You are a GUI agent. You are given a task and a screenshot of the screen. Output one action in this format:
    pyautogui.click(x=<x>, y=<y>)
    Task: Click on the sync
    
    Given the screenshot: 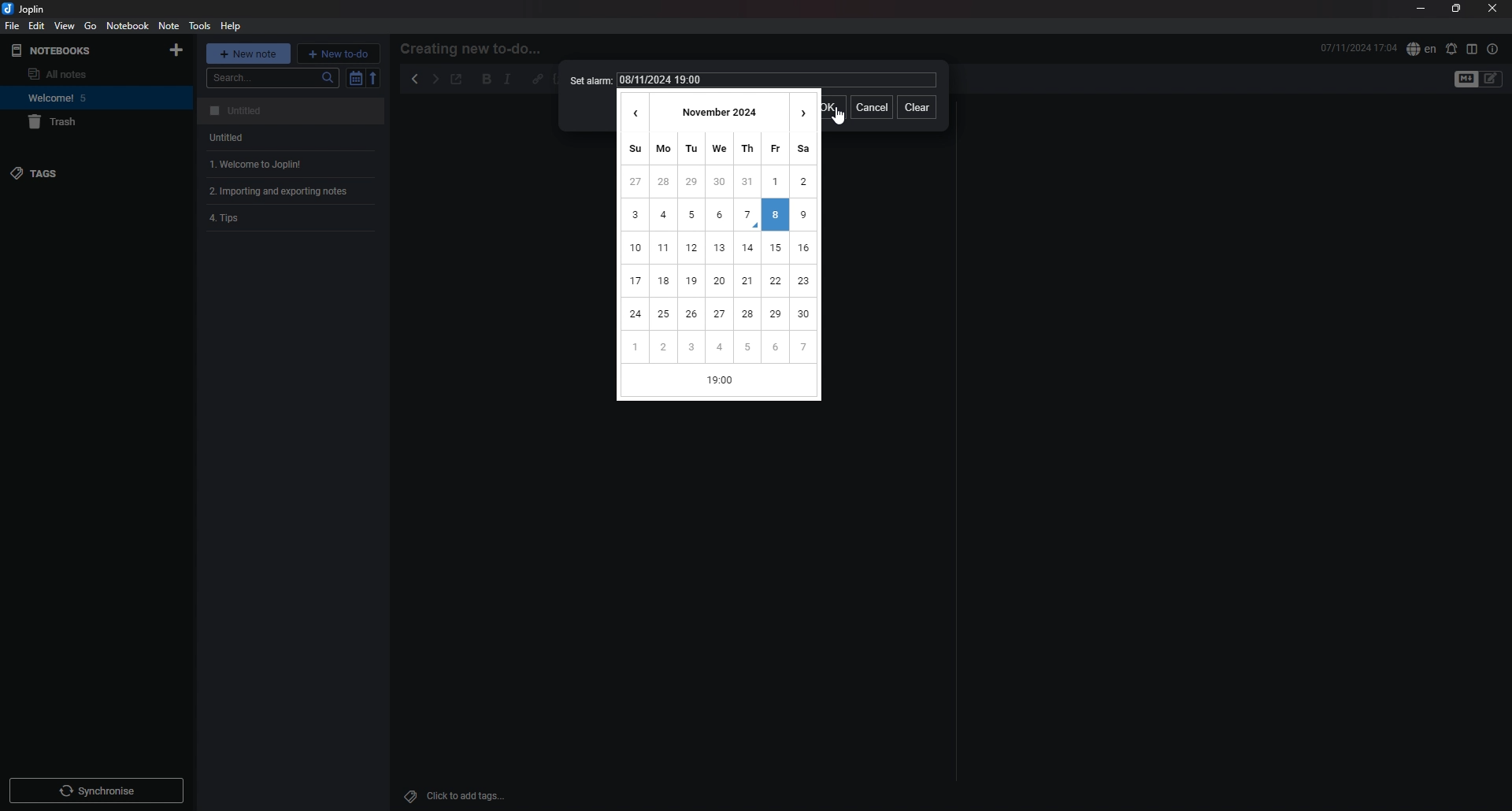 What is the action you would take?
    pyautogui.click(x=96, y=790)
    